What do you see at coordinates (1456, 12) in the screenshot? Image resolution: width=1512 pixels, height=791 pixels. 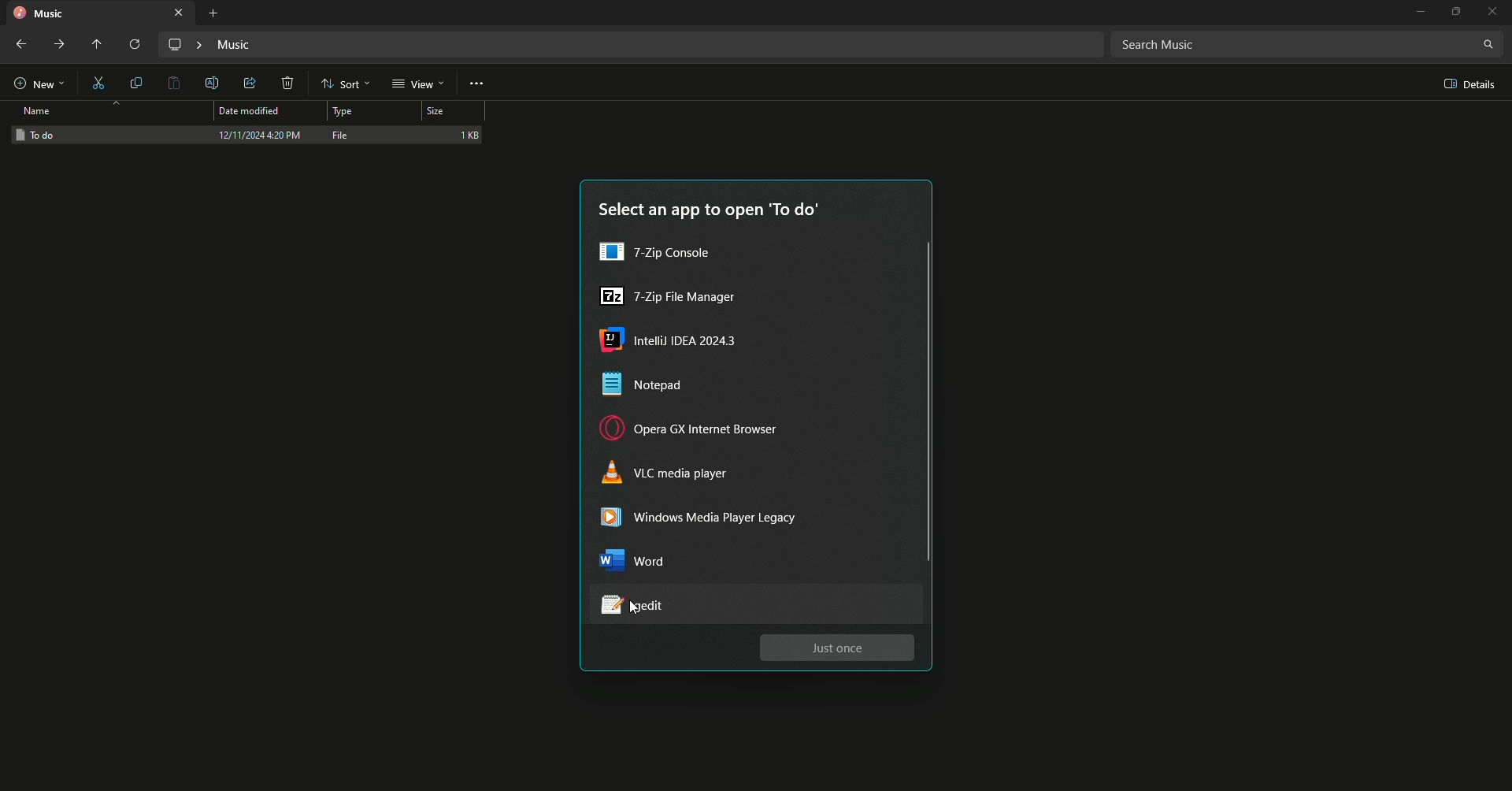 I see `Restore` at bounding box center [1456, 12].